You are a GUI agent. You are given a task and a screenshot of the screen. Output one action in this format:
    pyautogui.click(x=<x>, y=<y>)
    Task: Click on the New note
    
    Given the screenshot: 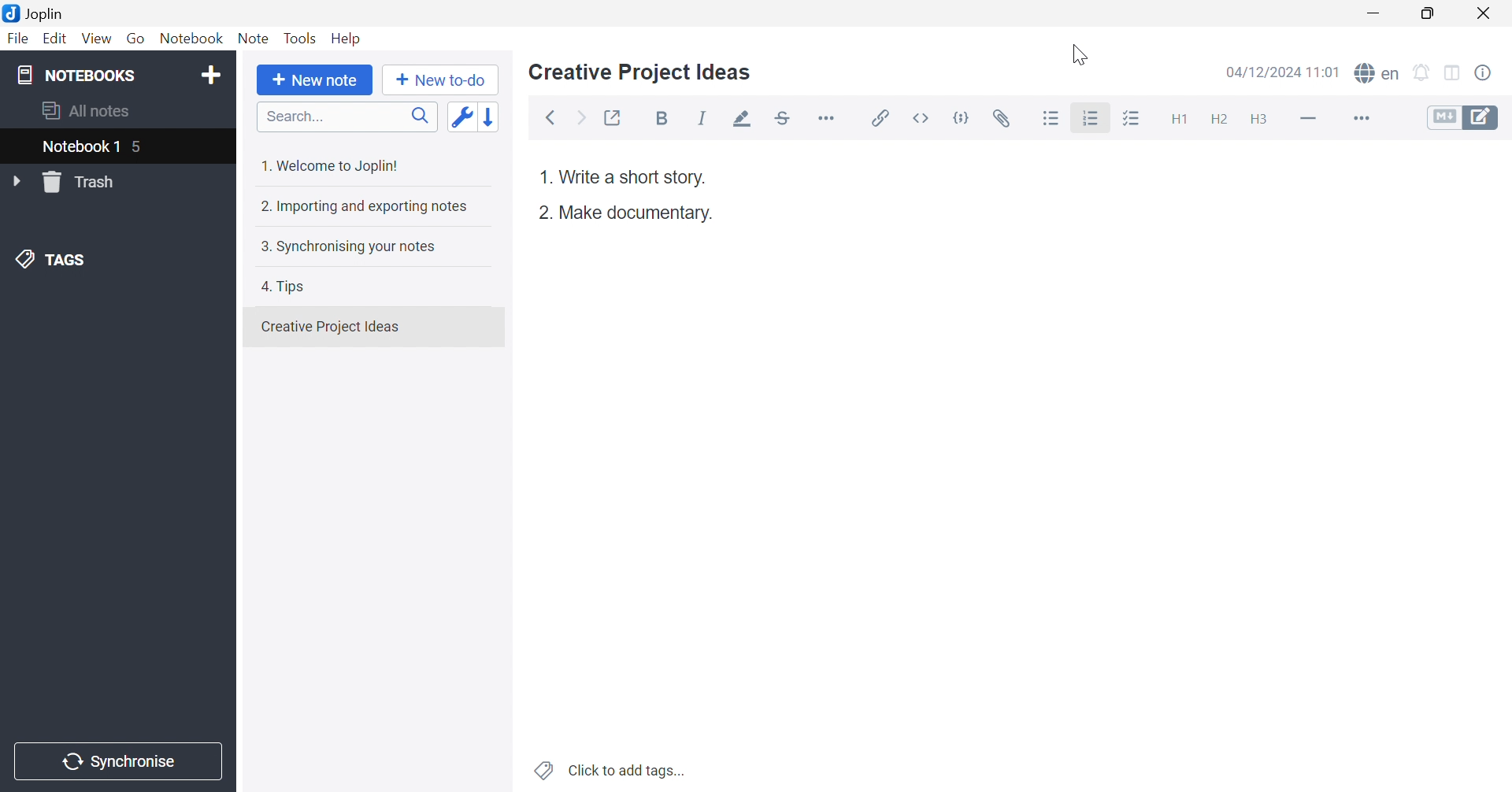 What is the action you would take?
    pyautogui.click(x=313, y=80)
    